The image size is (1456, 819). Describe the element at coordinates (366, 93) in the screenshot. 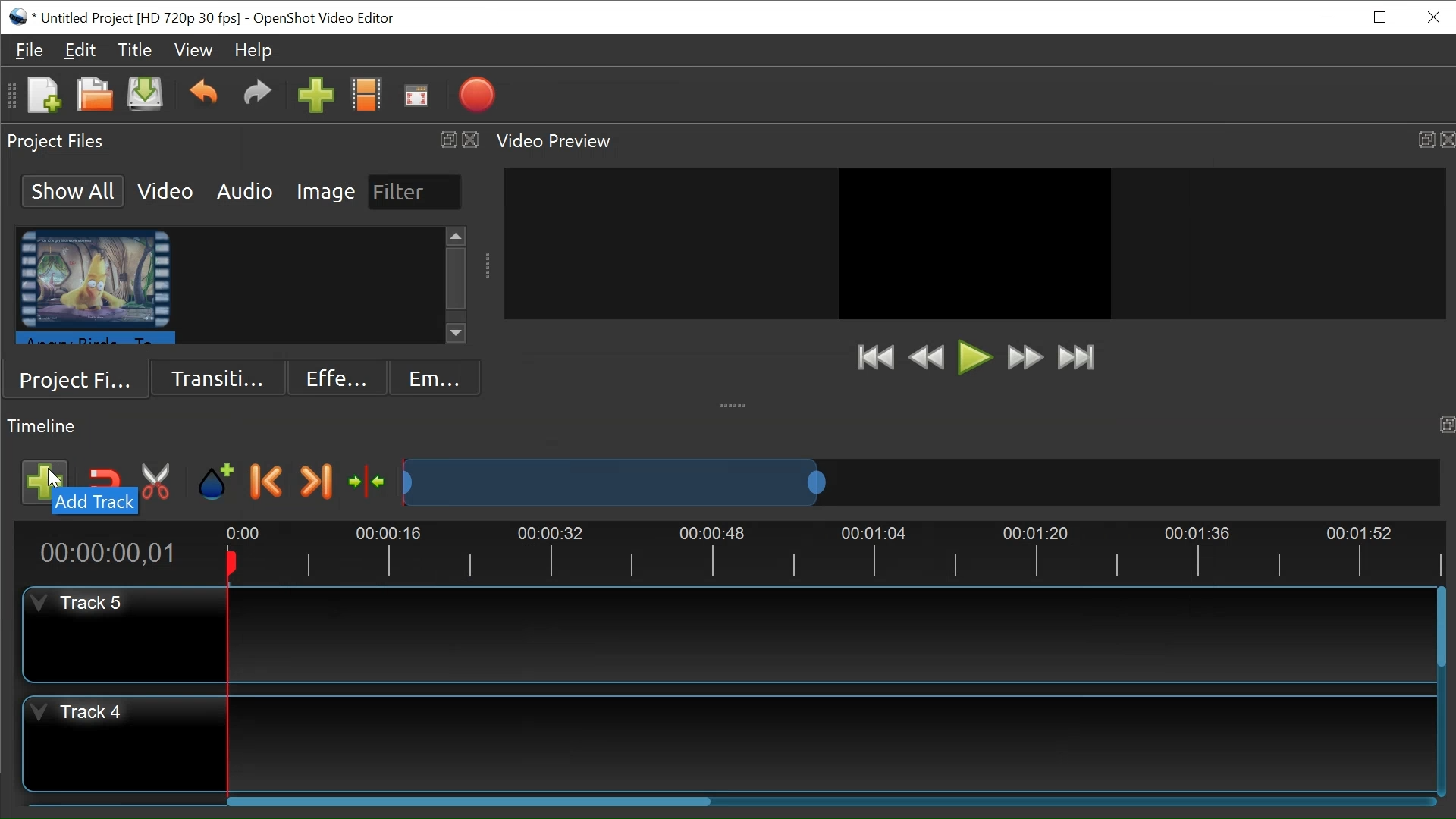

I see `Choose Profile` at that location.